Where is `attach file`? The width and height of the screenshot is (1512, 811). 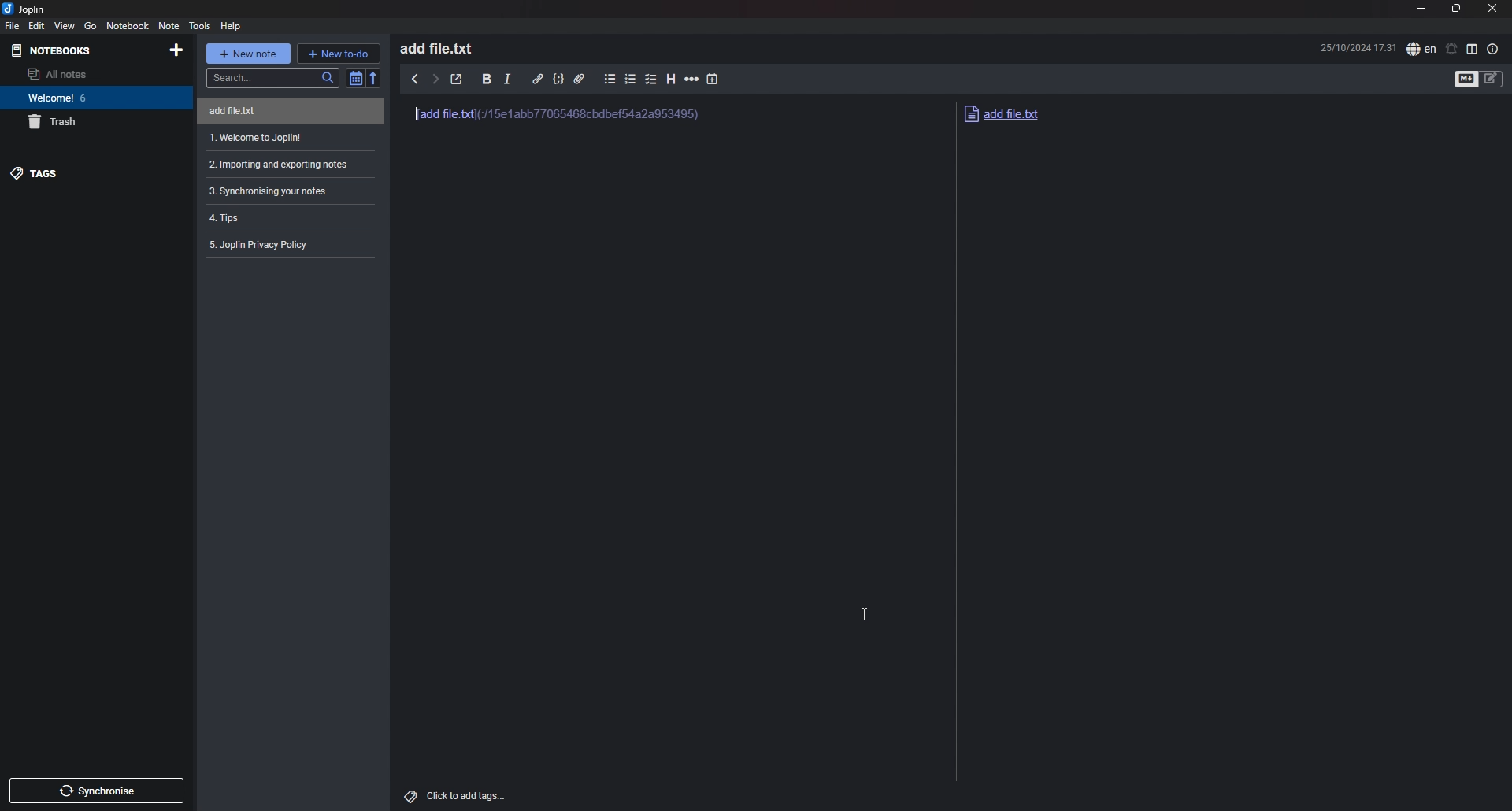 attach file is located at coordinates (579, 79).